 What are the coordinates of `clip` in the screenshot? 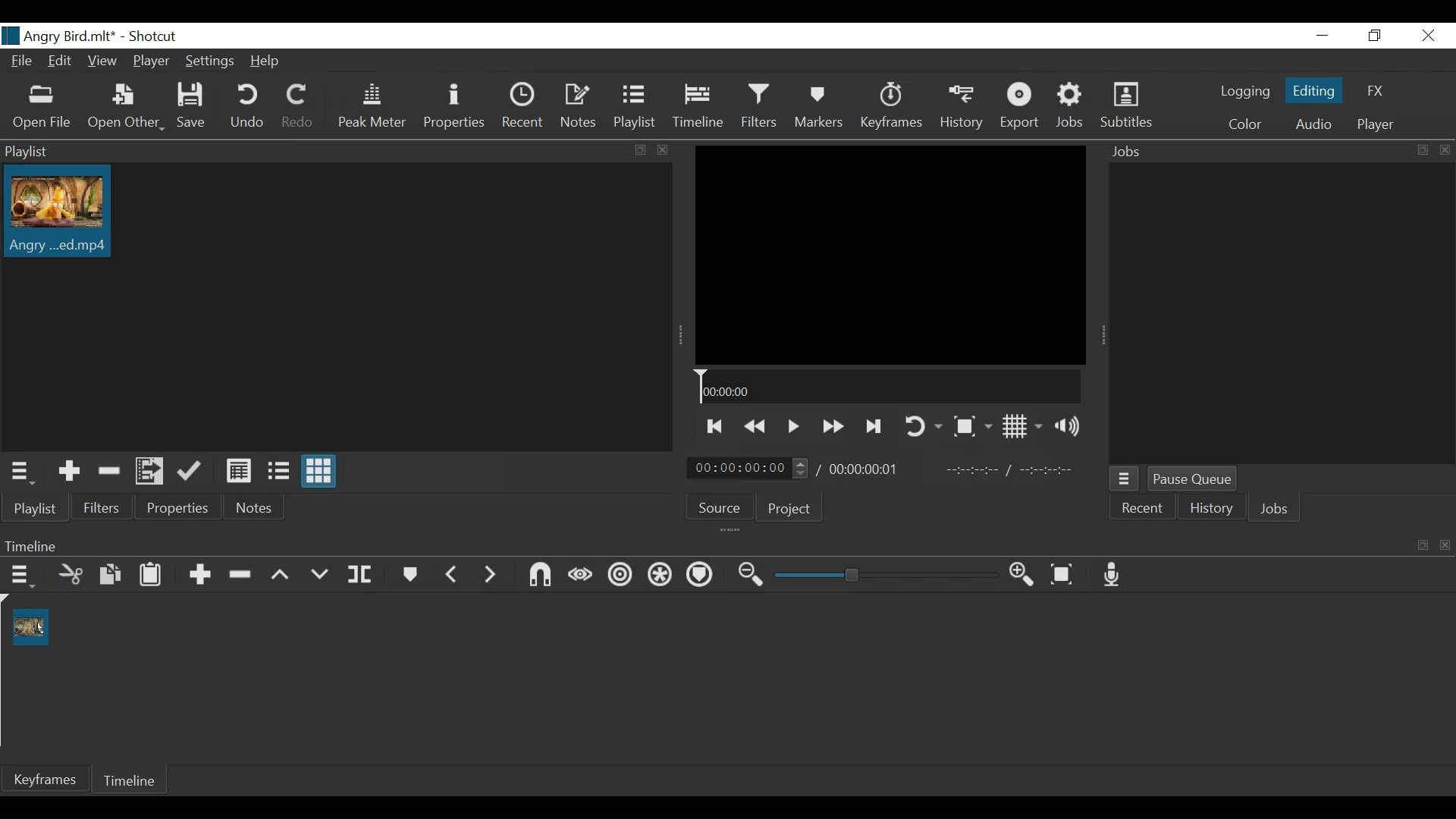 It's located at (30, 627).